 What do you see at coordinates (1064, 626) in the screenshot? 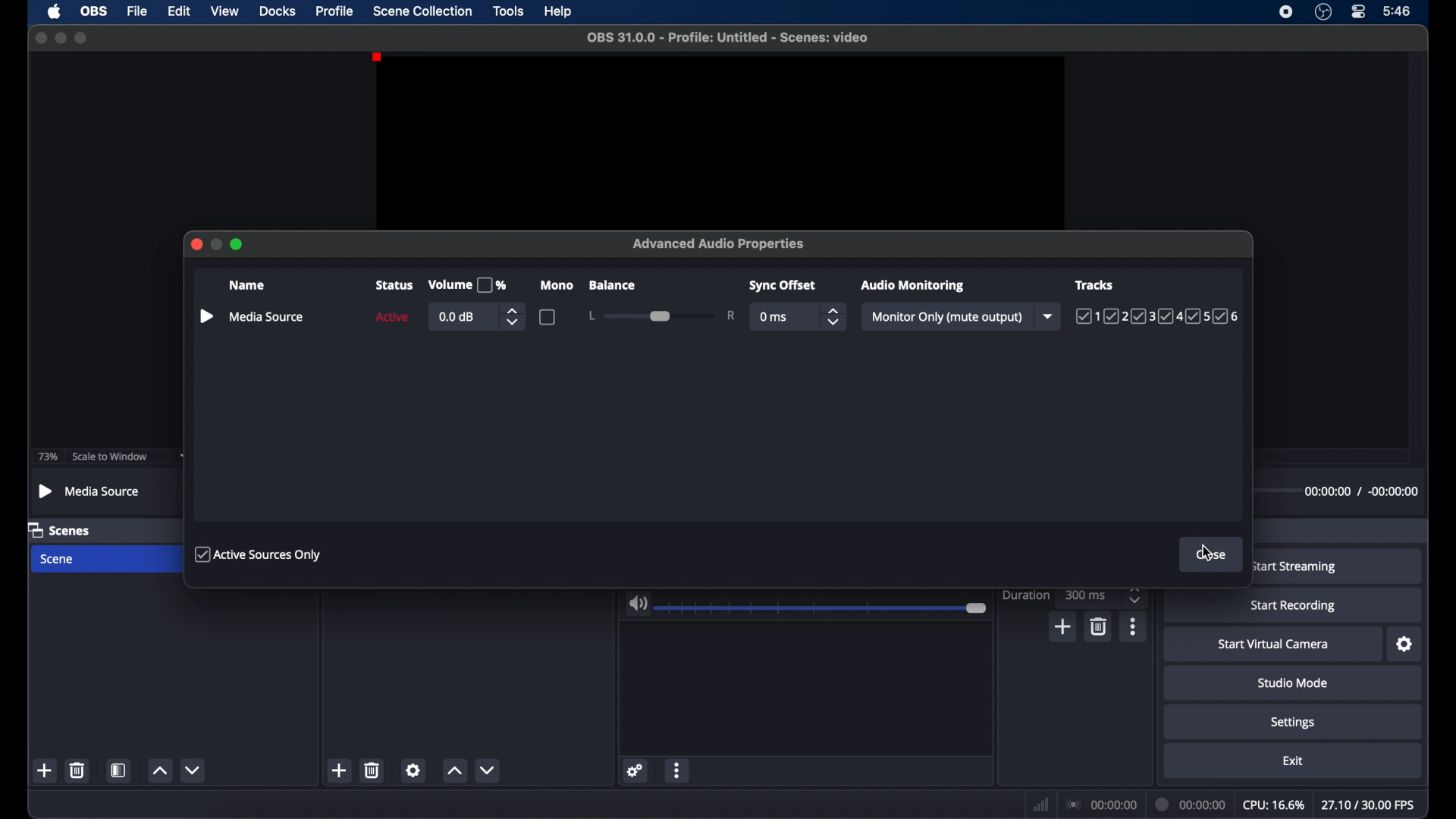
I see `add` at bounding box center [1064, 626].